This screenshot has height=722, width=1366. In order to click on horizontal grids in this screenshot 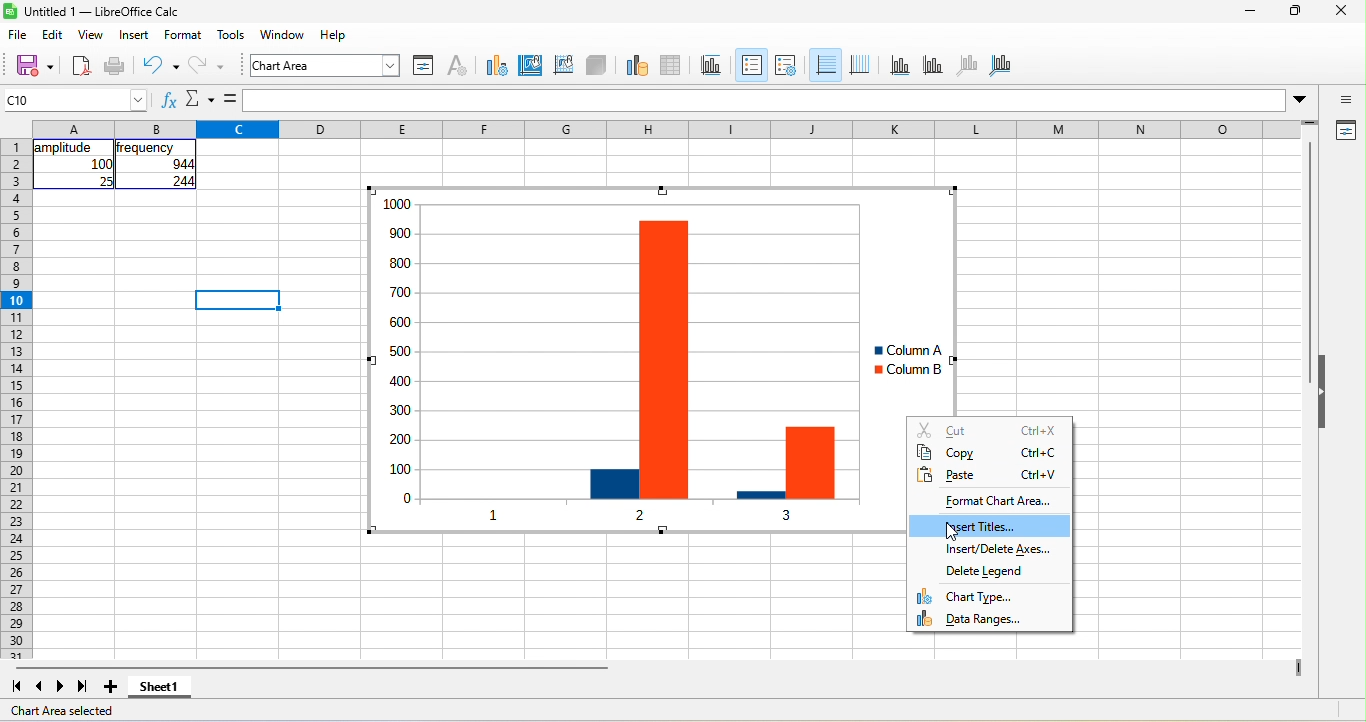, I will do `click(825, 65)`.